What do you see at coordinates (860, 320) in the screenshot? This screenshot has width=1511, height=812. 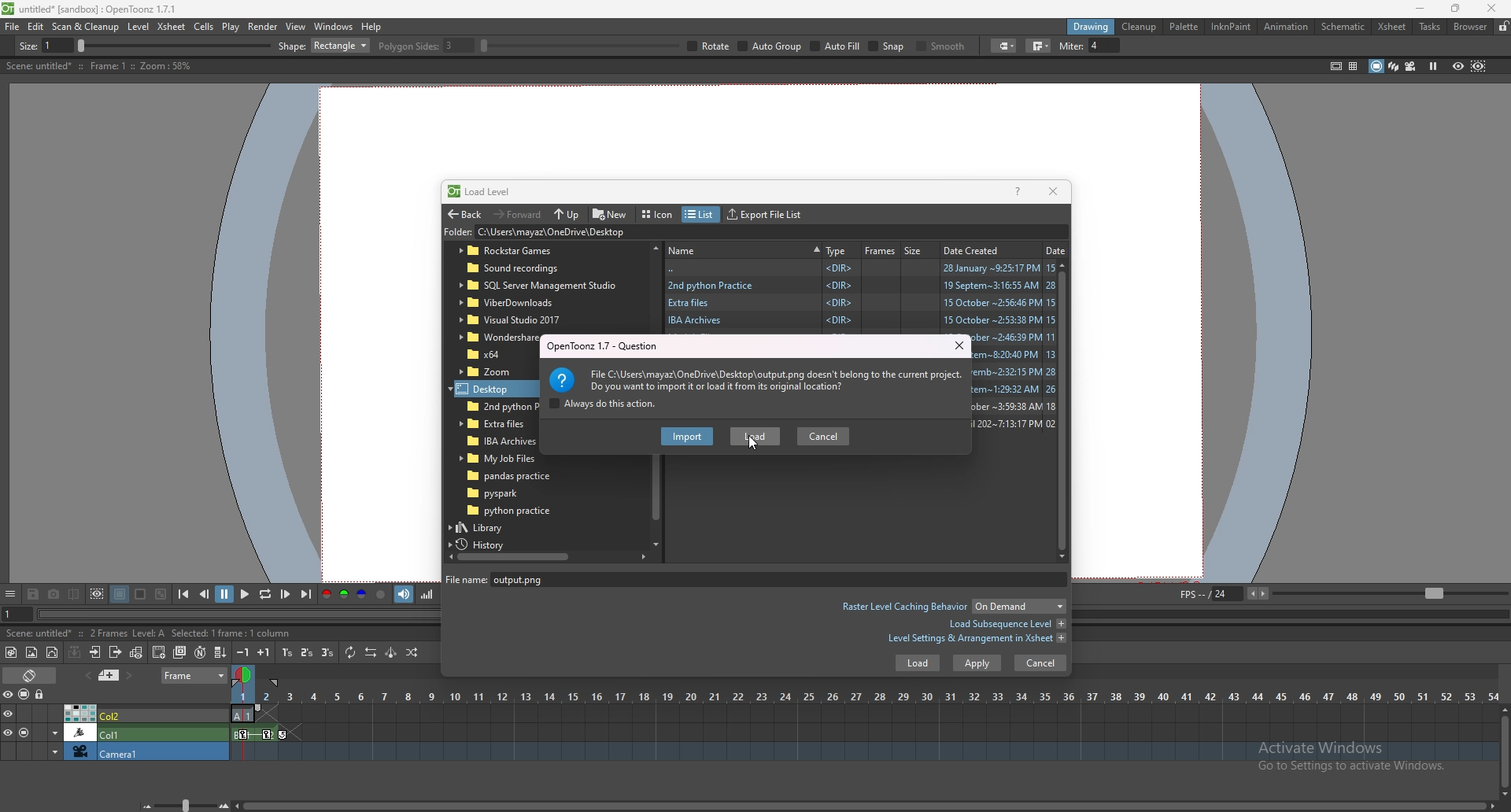 I see `folder` at bounding box center [860, 320].